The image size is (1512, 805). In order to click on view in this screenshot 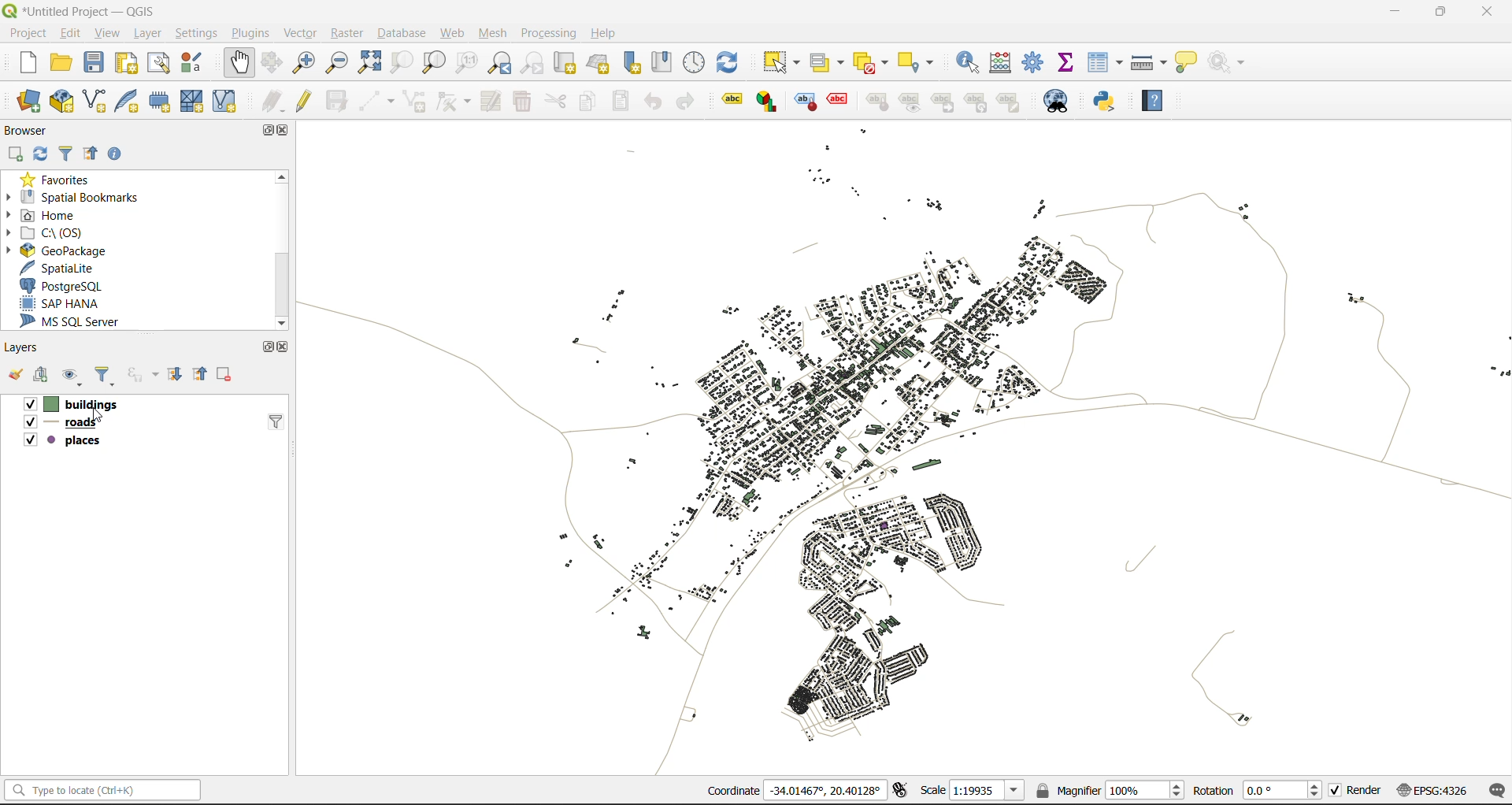, I will do `click(107, 35)`.